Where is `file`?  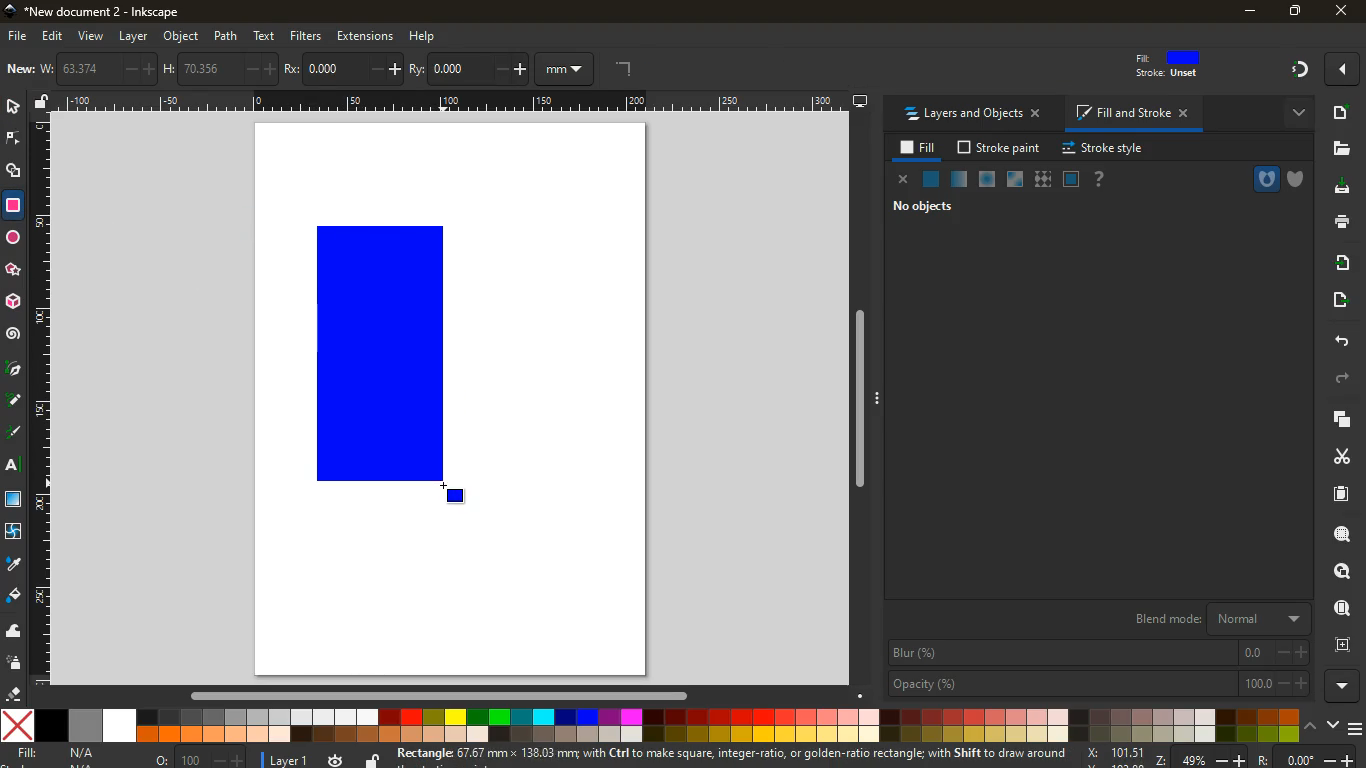 file is located at coordinates (15, 37).